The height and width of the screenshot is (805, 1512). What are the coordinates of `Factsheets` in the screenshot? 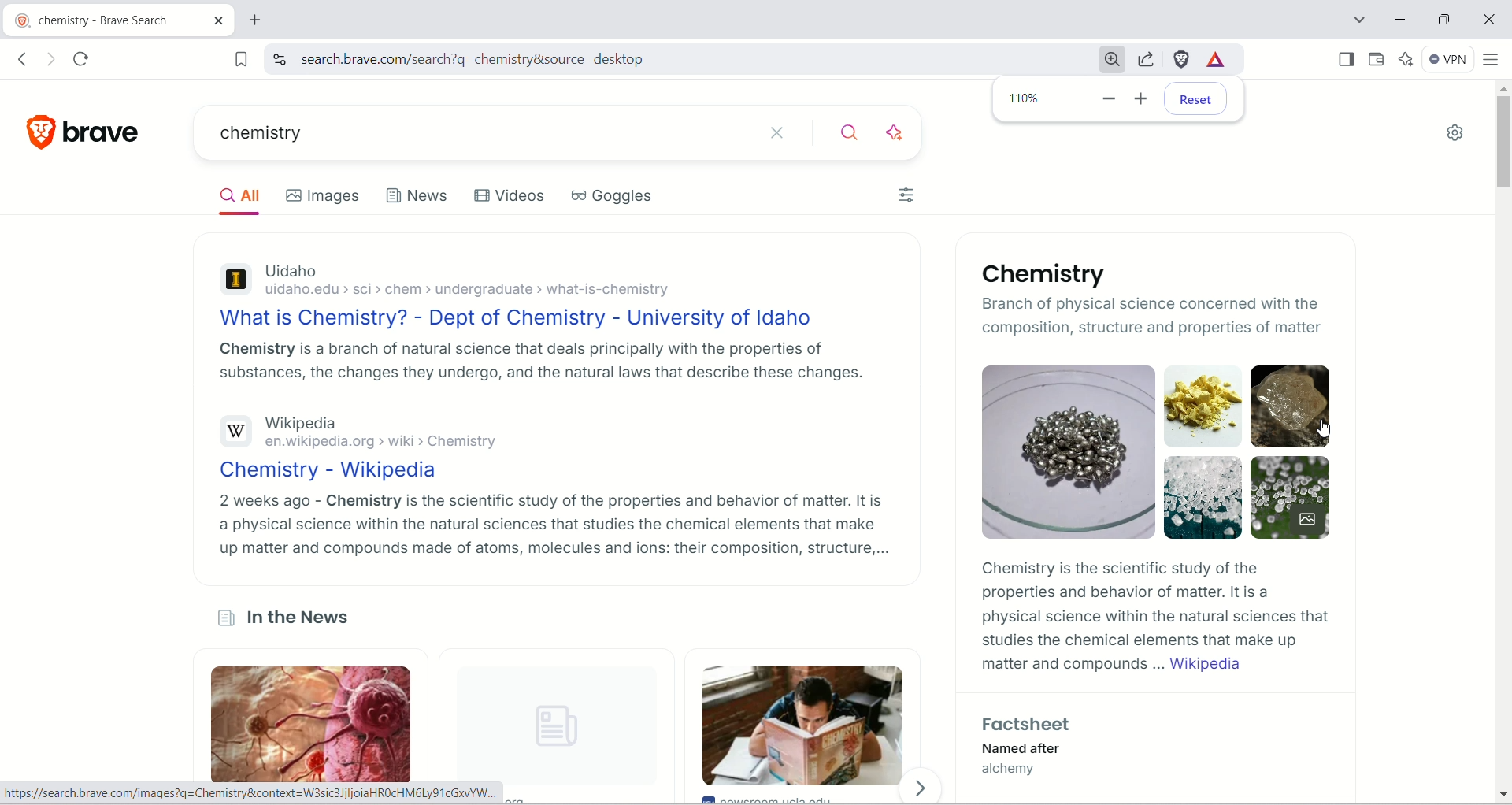 It's located at (1027, 722).